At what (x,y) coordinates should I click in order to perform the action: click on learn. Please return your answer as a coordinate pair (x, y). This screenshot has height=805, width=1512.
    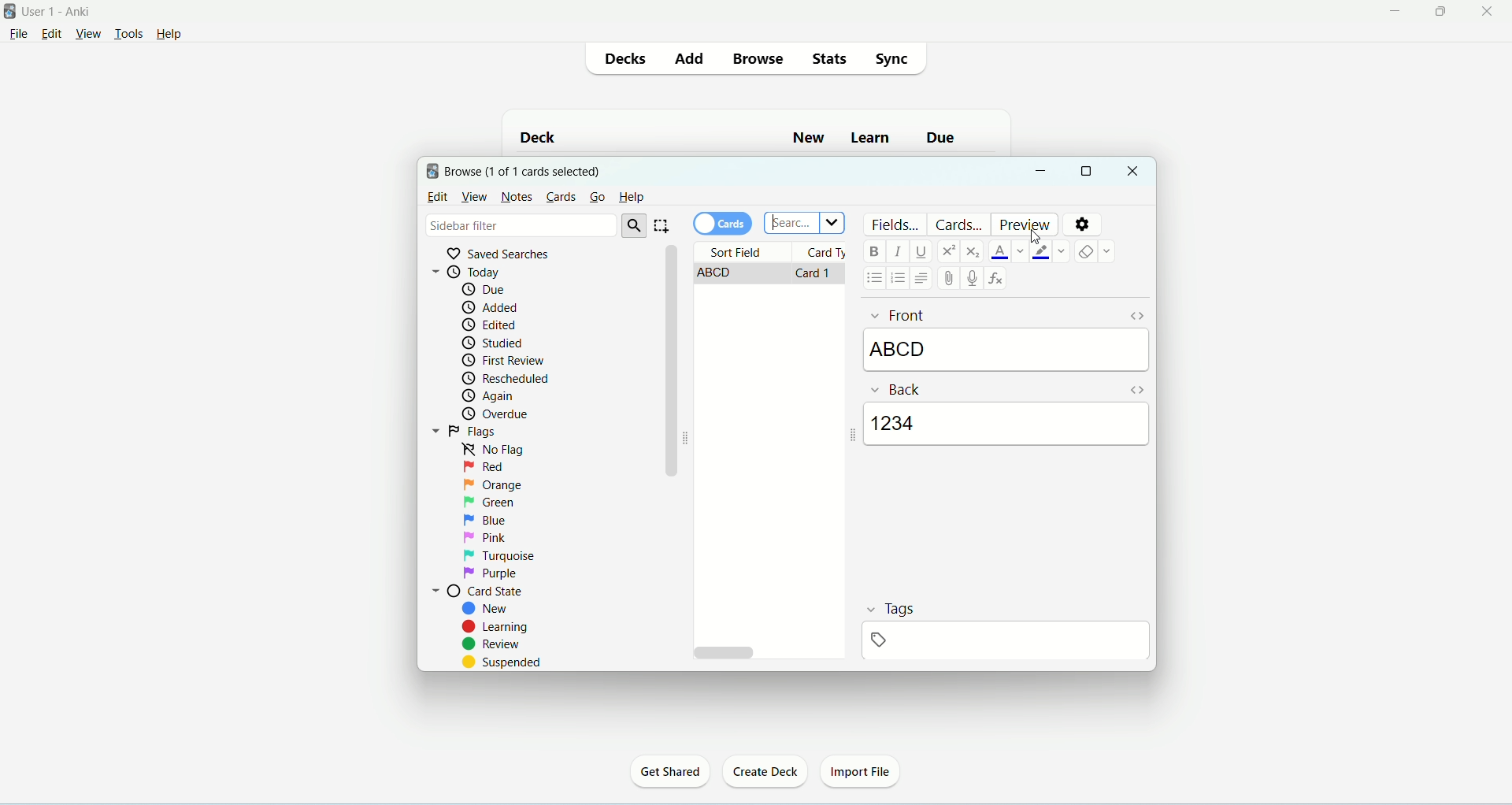
    Looking at the image, I should click on (873, 139).